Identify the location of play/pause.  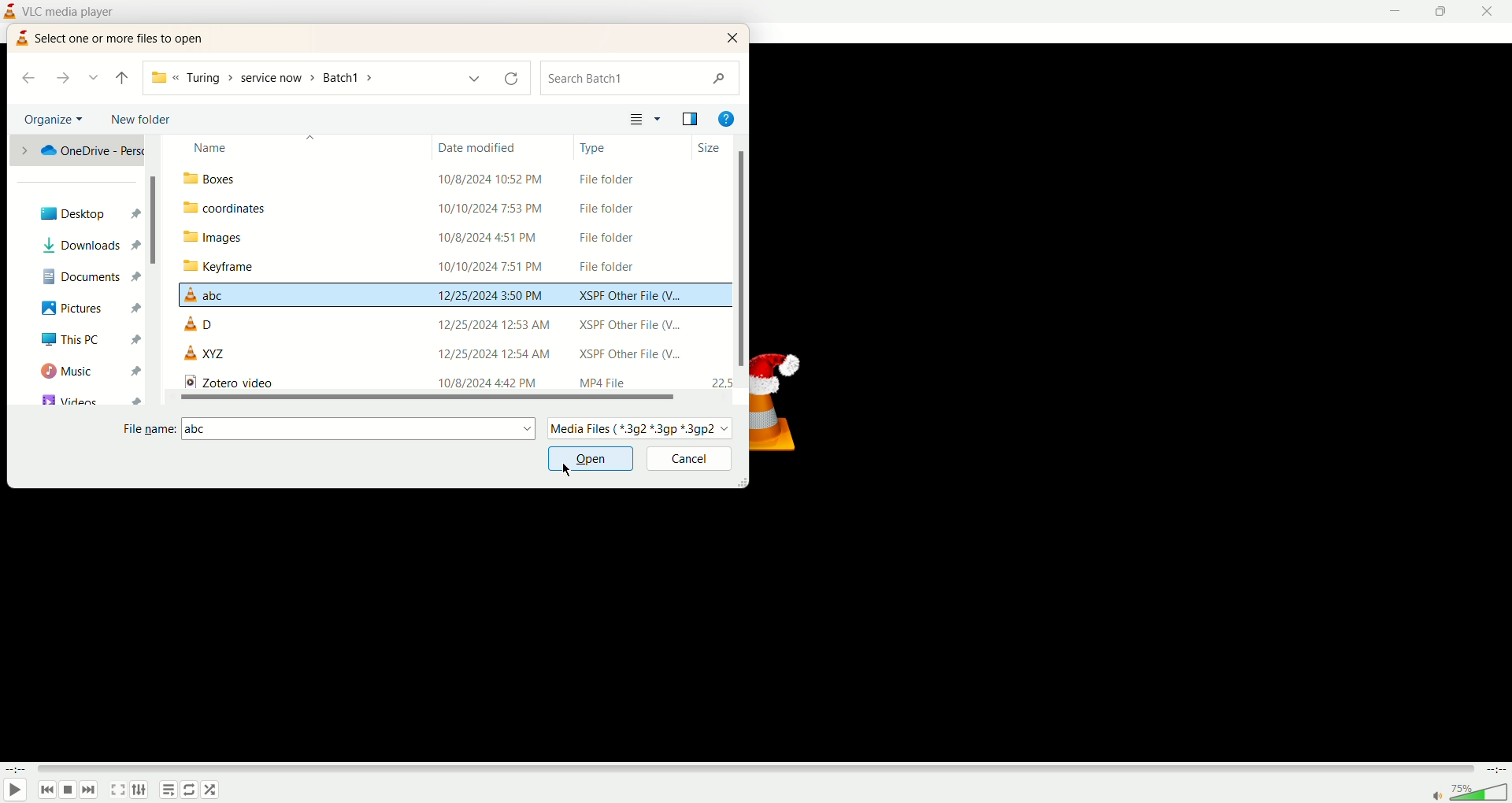
(15, 790).